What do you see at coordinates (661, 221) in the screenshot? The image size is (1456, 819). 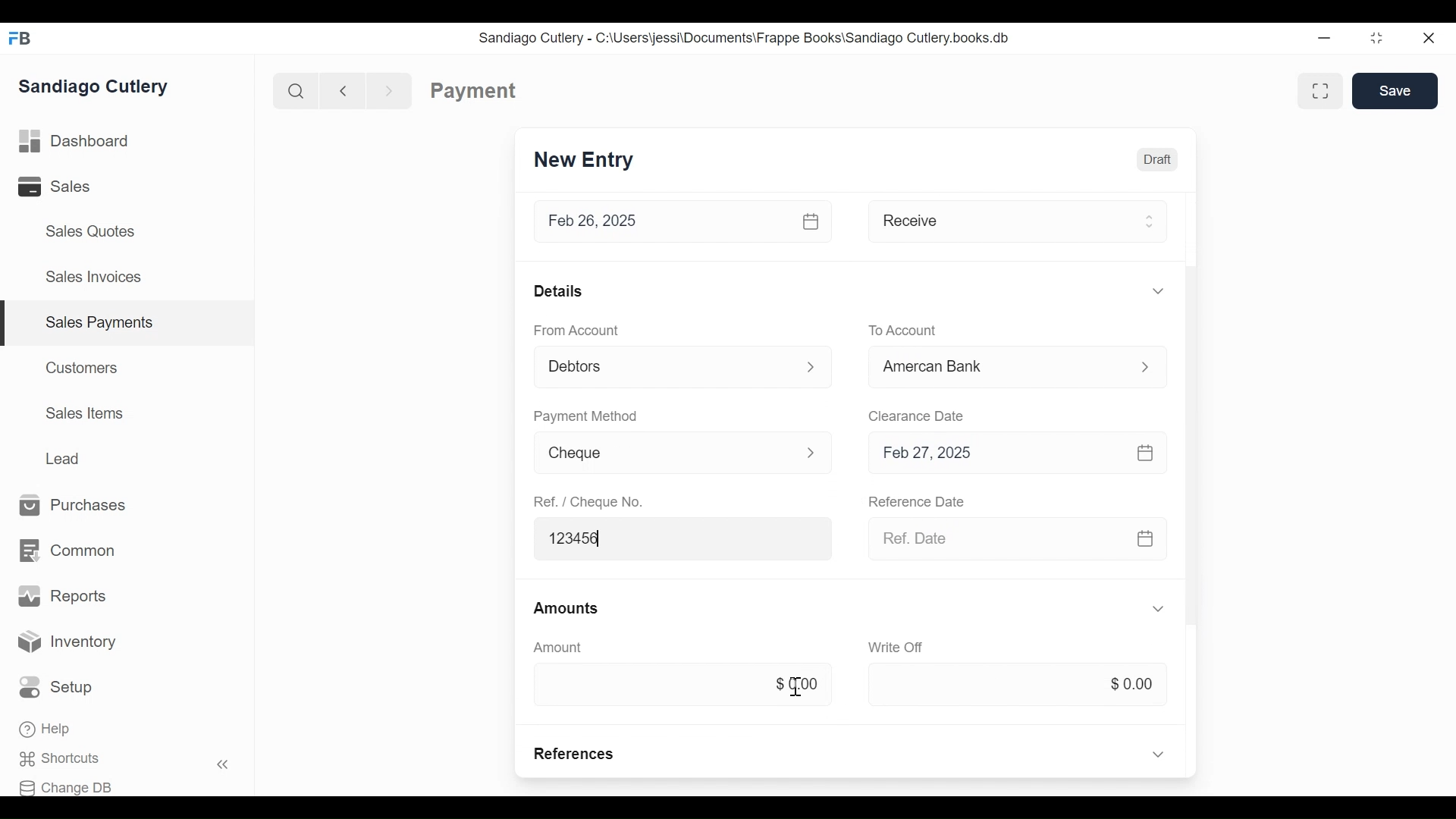 I see `Feb 26, 2025 ` at bounding box center [661, 221].